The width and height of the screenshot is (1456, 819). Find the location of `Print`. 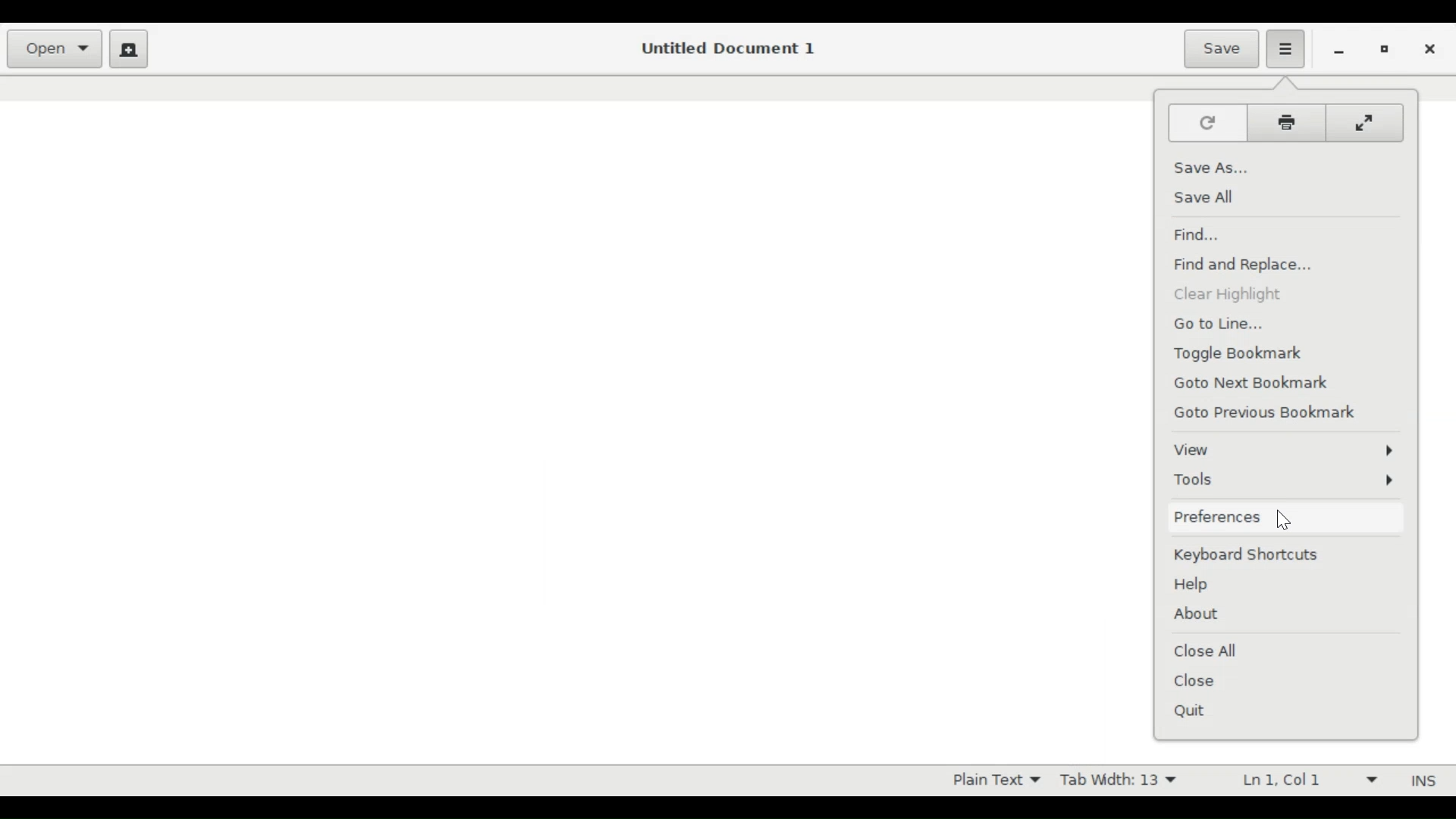

Print is located at coordinates (1285, 122).